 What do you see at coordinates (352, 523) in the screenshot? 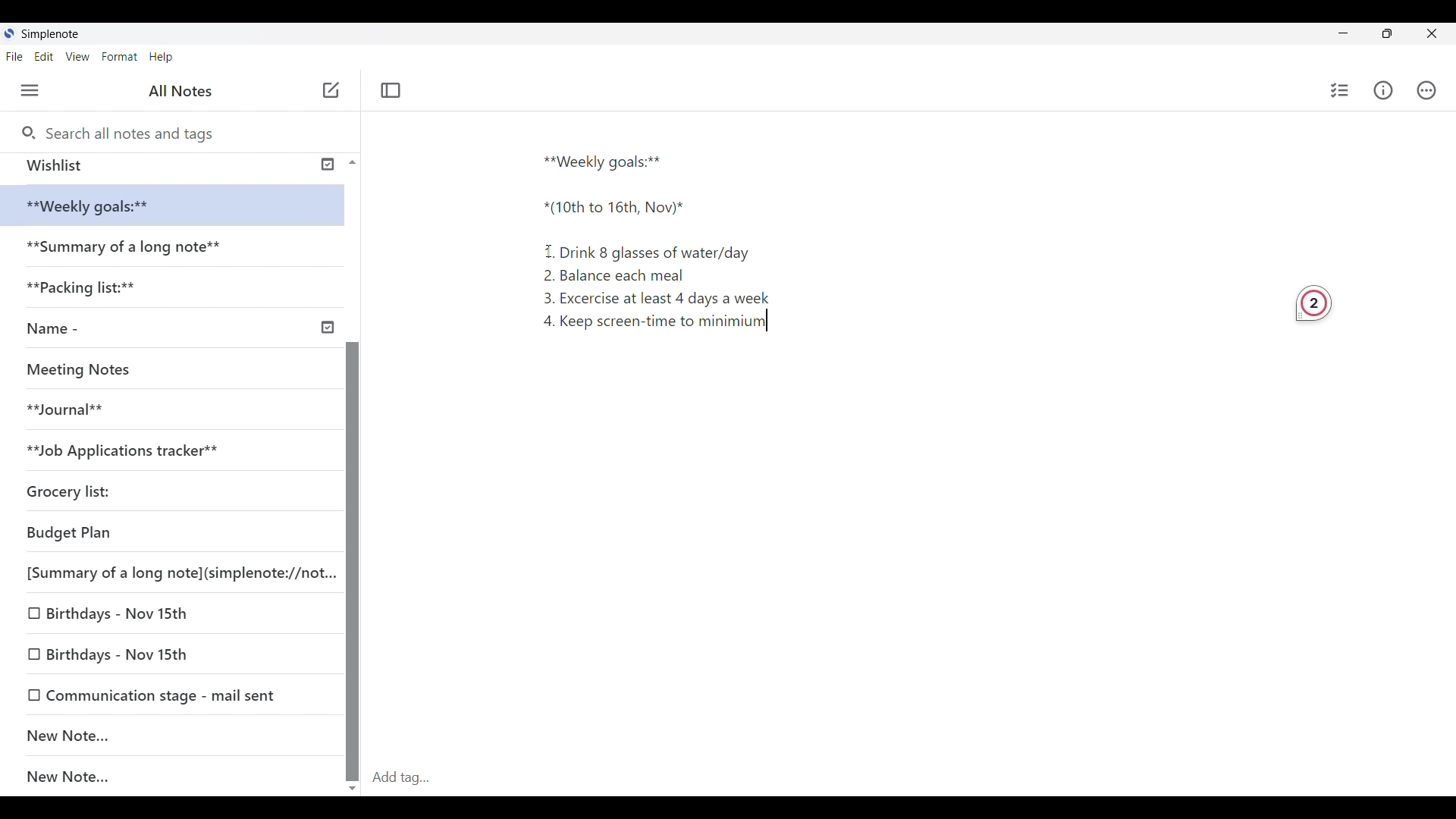
I see `Scroll bar` at bounding box center [352, 523].